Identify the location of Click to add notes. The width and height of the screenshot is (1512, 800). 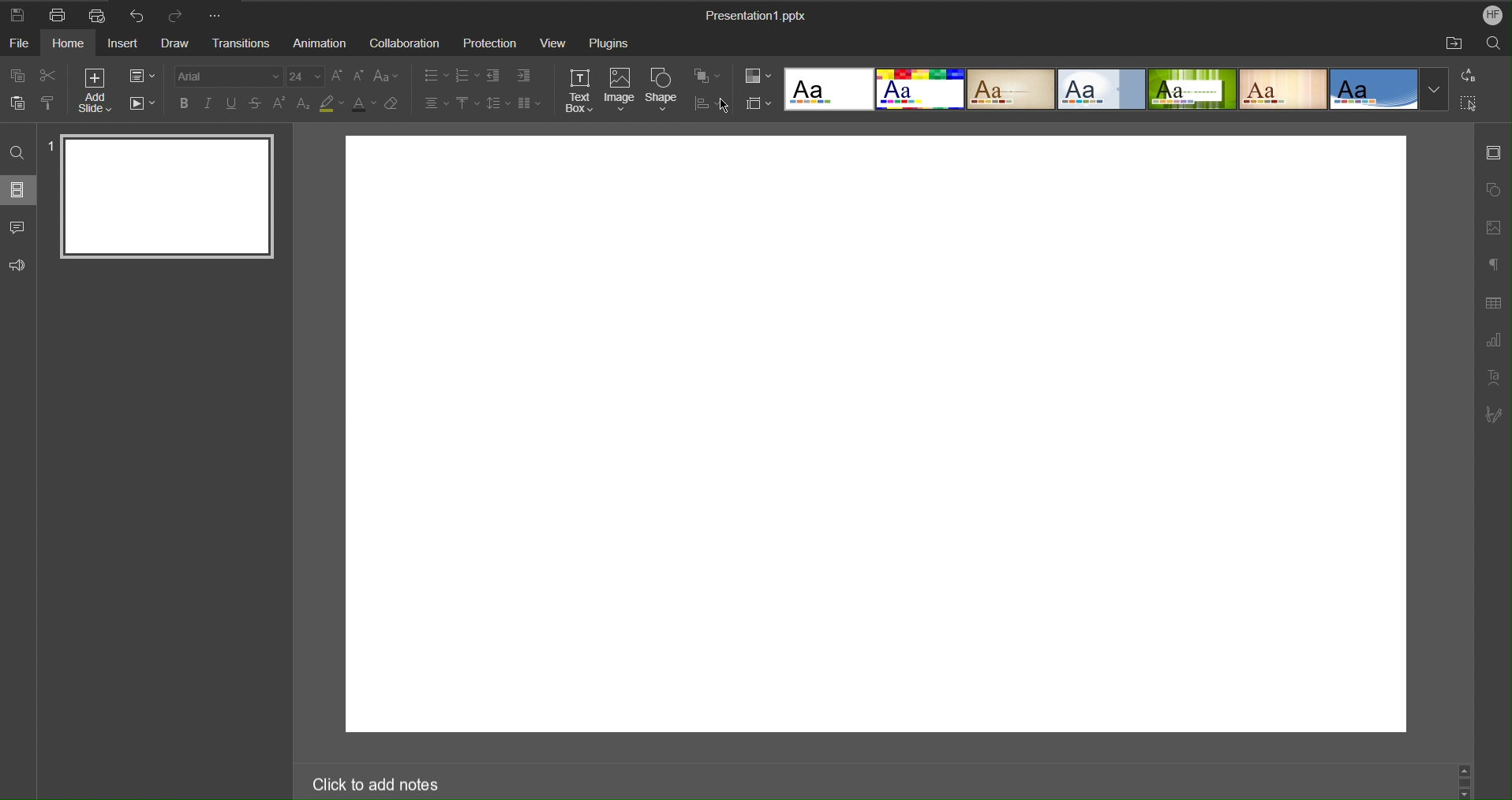
(372, 785).